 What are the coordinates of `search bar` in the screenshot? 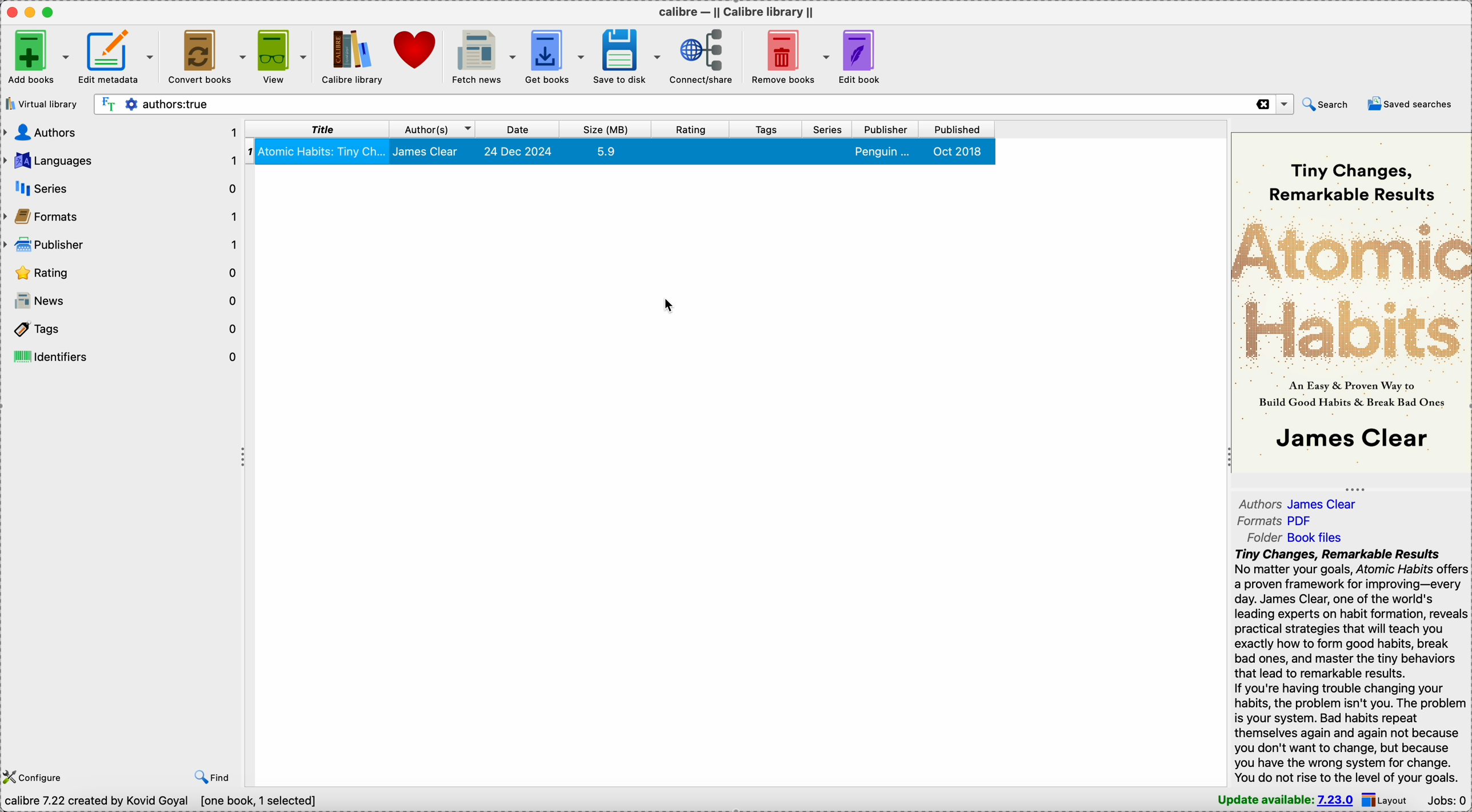 It's located at (691, 104).